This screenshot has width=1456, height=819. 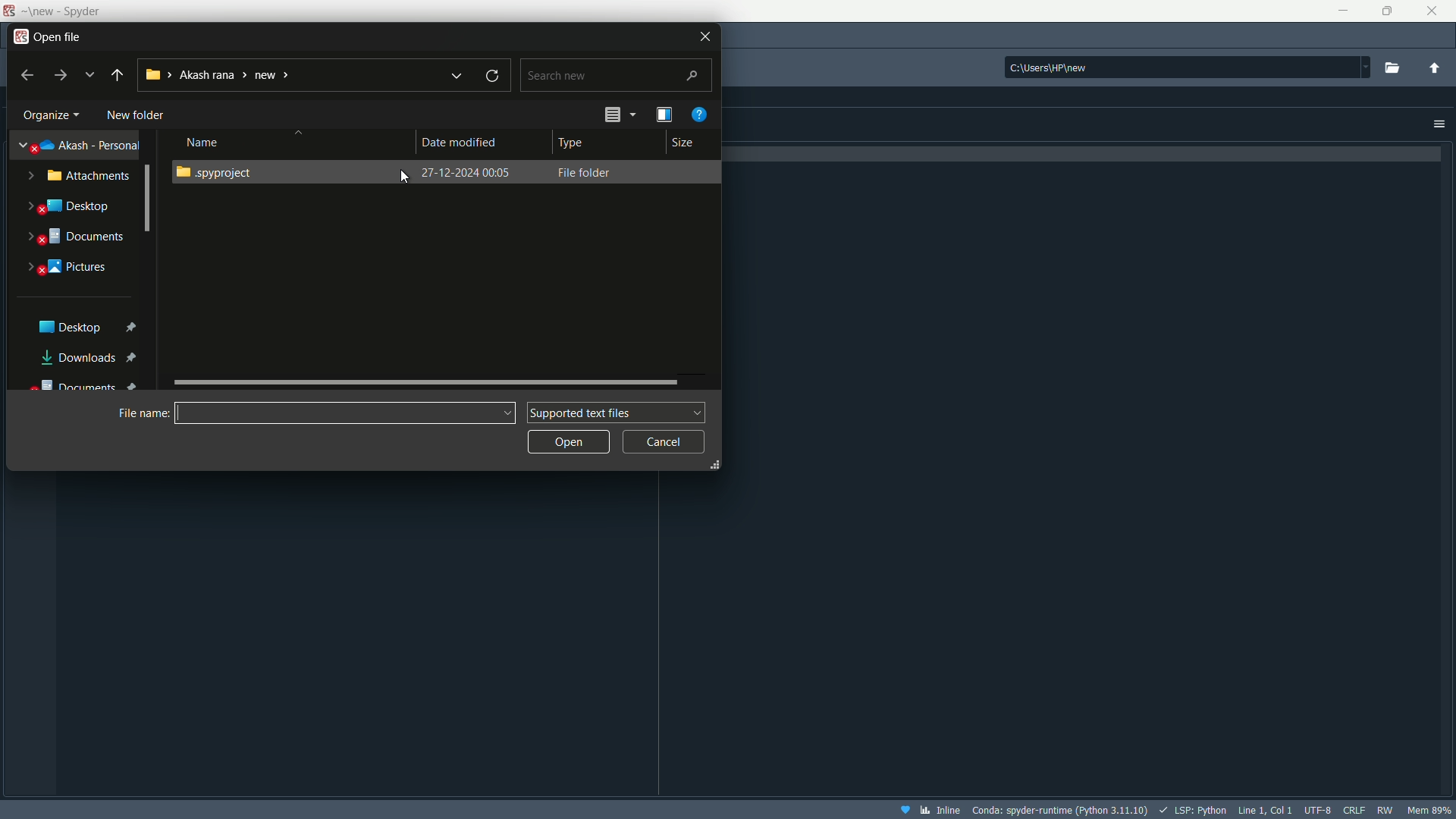 I want to click on Search bar, so click(x=620, y=74).